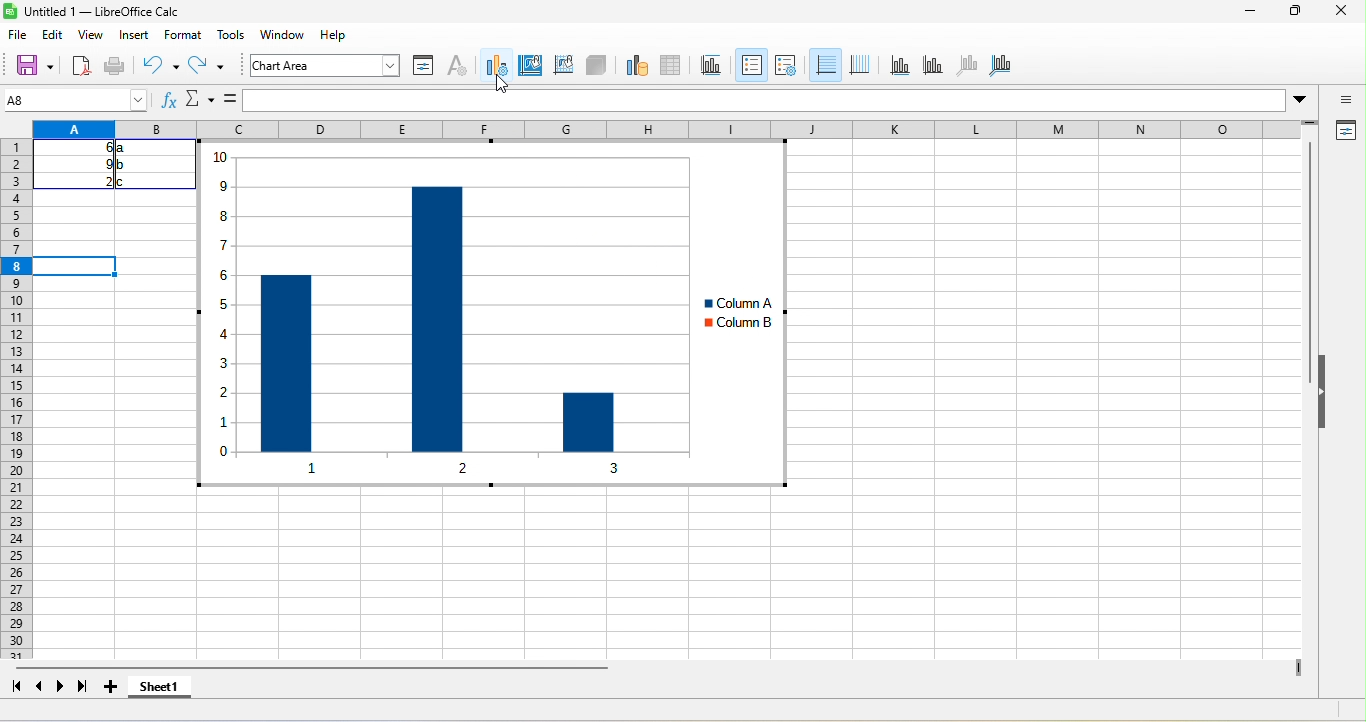 This screenshot has height=722, width=1366. Describe the element at coordinates (1347, 130) in the screenshot. I see `properties` at that location.